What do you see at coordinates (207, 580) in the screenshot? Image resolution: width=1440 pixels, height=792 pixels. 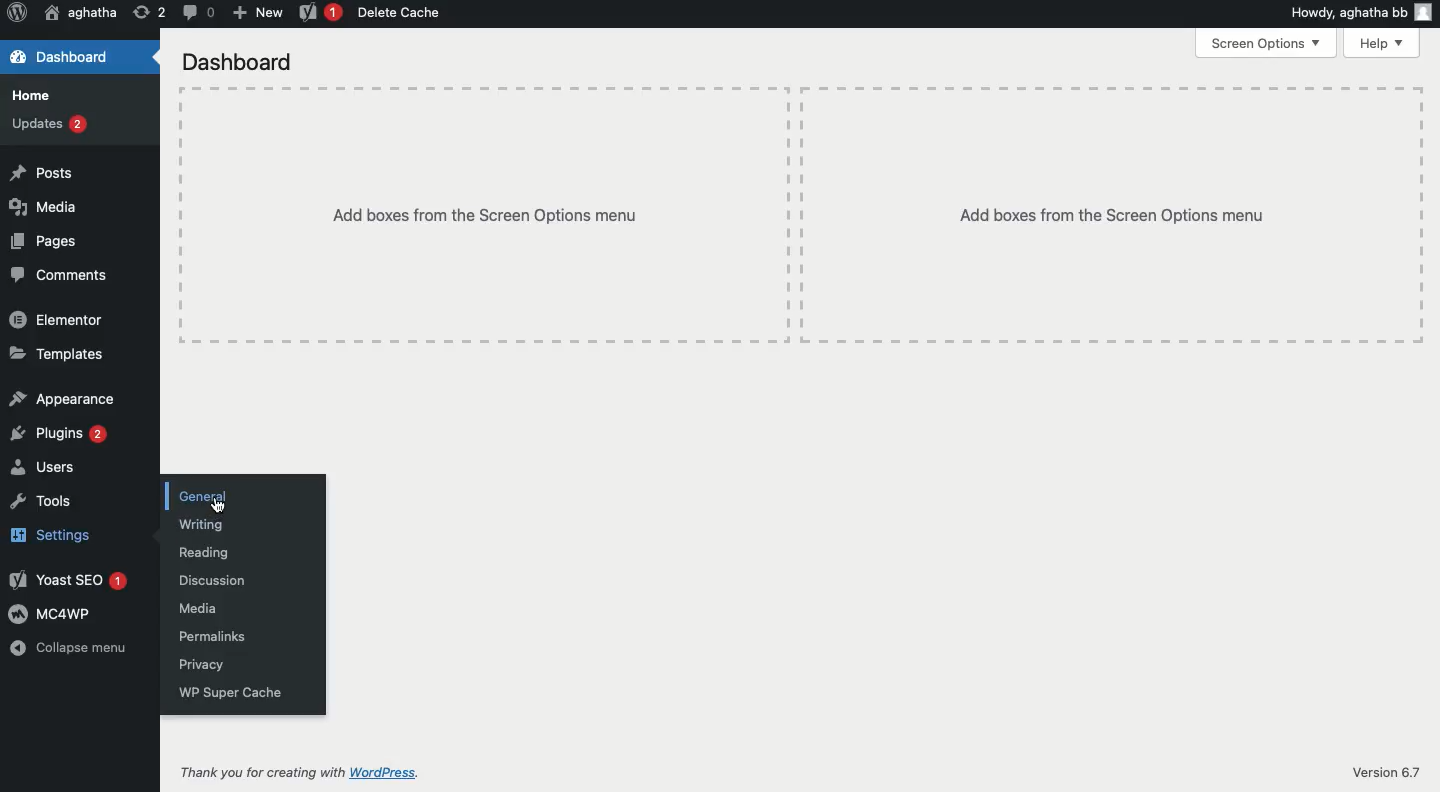 I see `Discussion` at bounding box center [207, 580].